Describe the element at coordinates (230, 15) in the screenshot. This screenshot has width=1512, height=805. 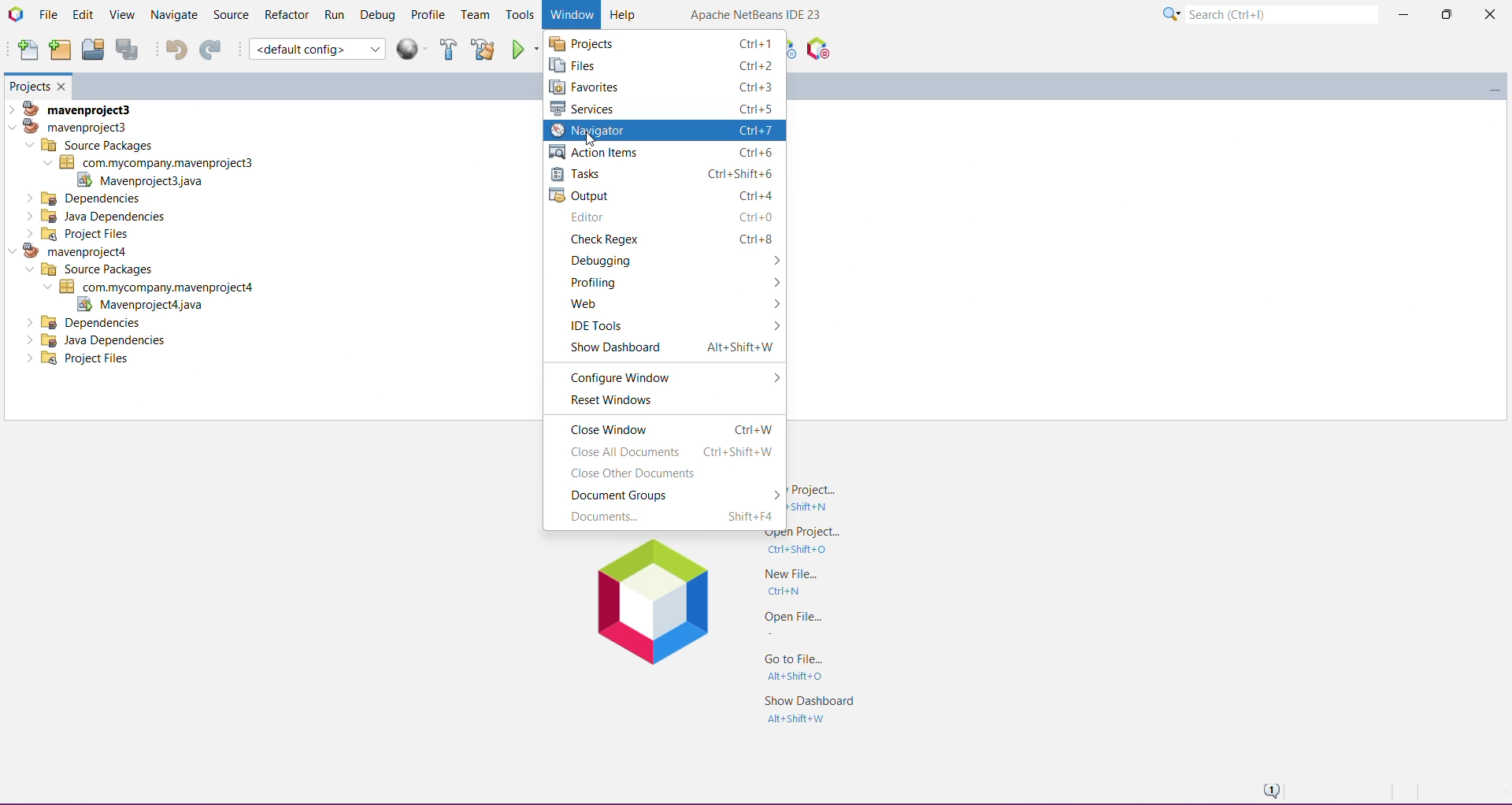
I see `Source` at that location.